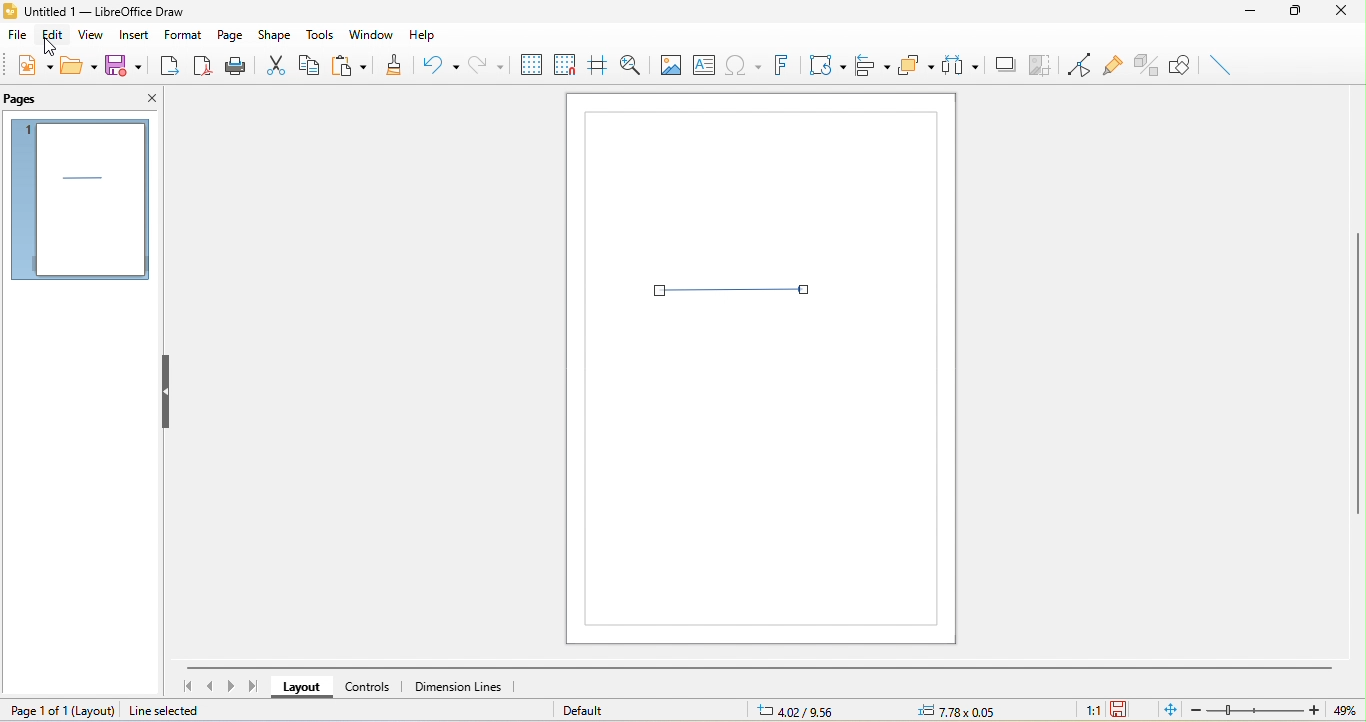  What do you see at coordinates (178, 711) in the screenshot?
I see `line selected` at bounding box center [178, 711].